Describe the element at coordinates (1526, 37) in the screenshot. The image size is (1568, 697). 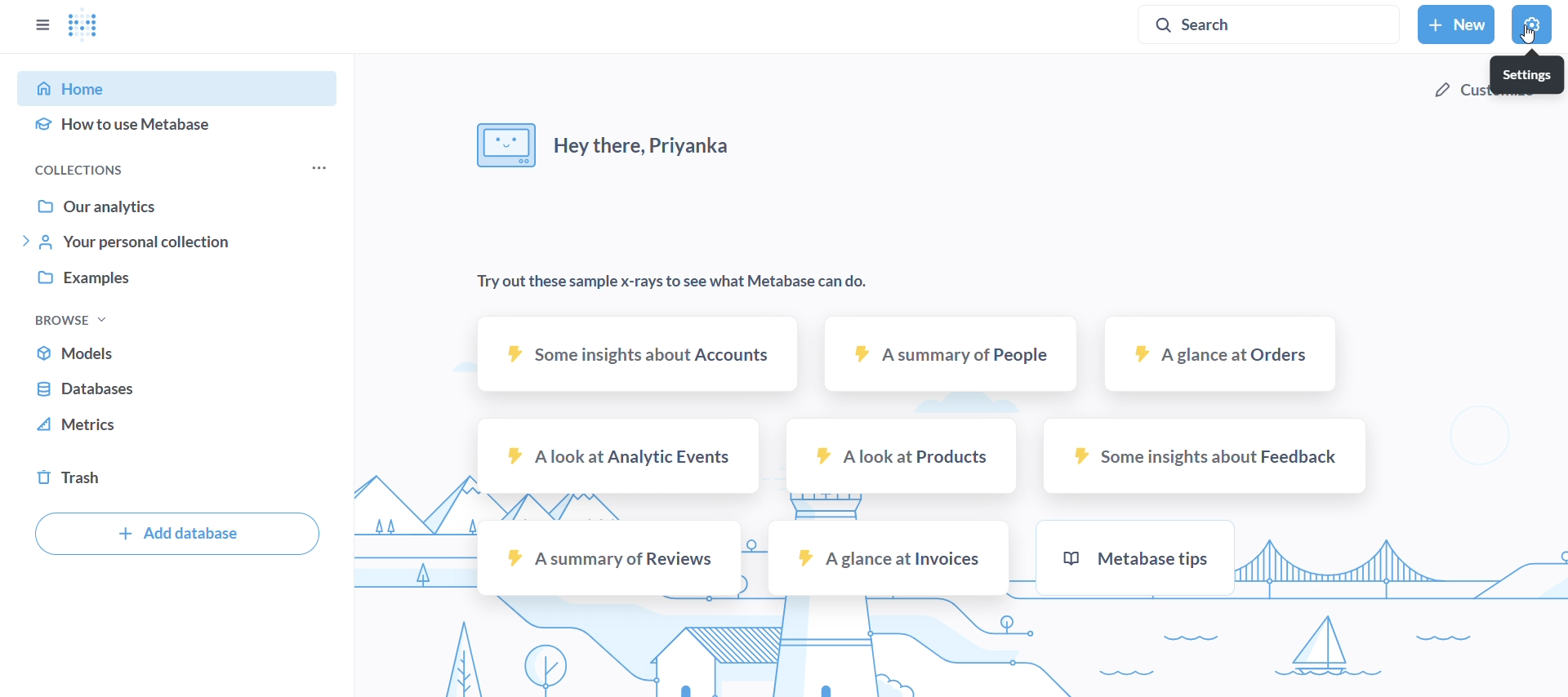
I see `Cursor` at that location.